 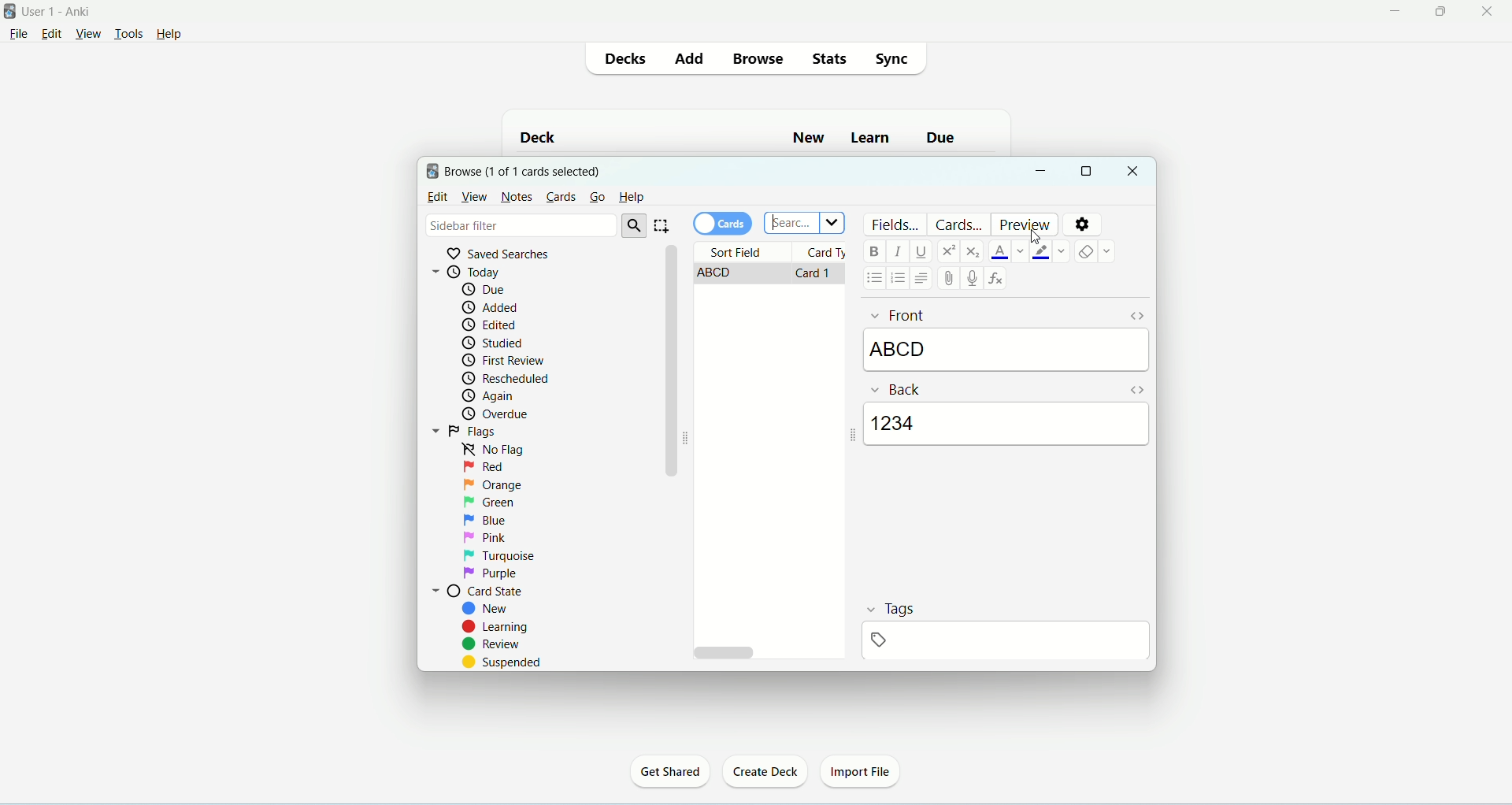 I want to click on pink, so click(x=487, y=536).